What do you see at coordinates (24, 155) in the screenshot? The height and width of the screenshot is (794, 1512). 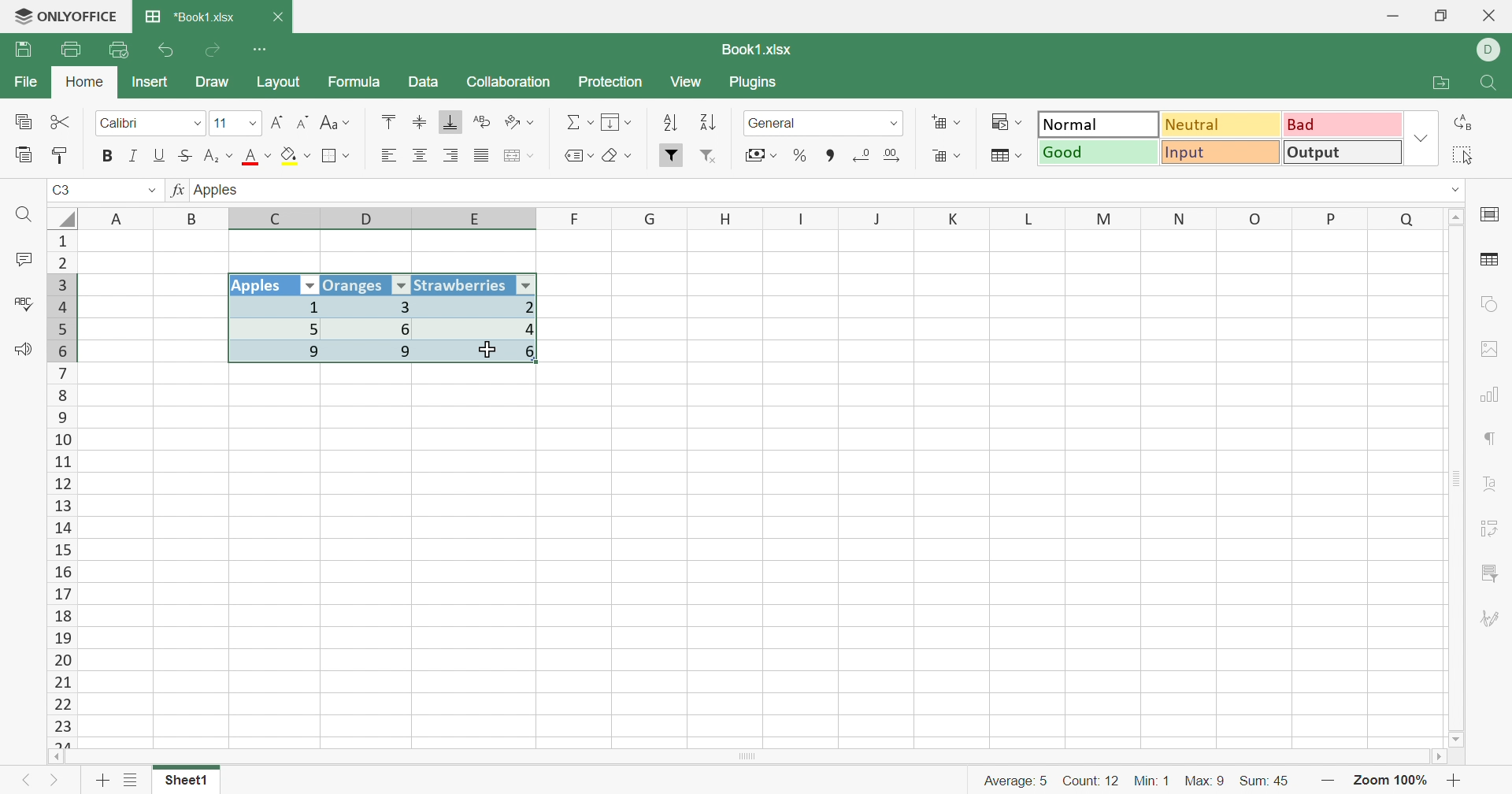 I see `Paste` at bounding box center [24, 155].